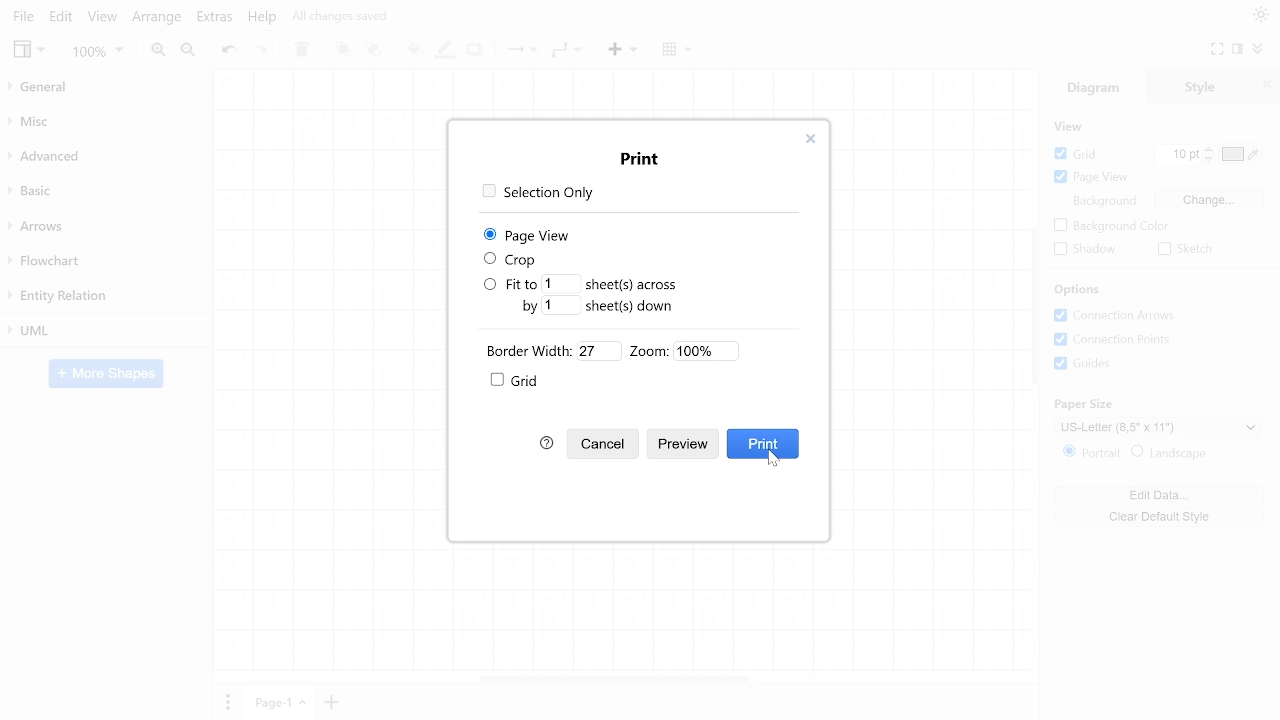 This screenshot has width=1280, height=720. What do you see at coordinates (550, 349) in the screenshot?
I see `Border width` at bounding box center [550, 349].